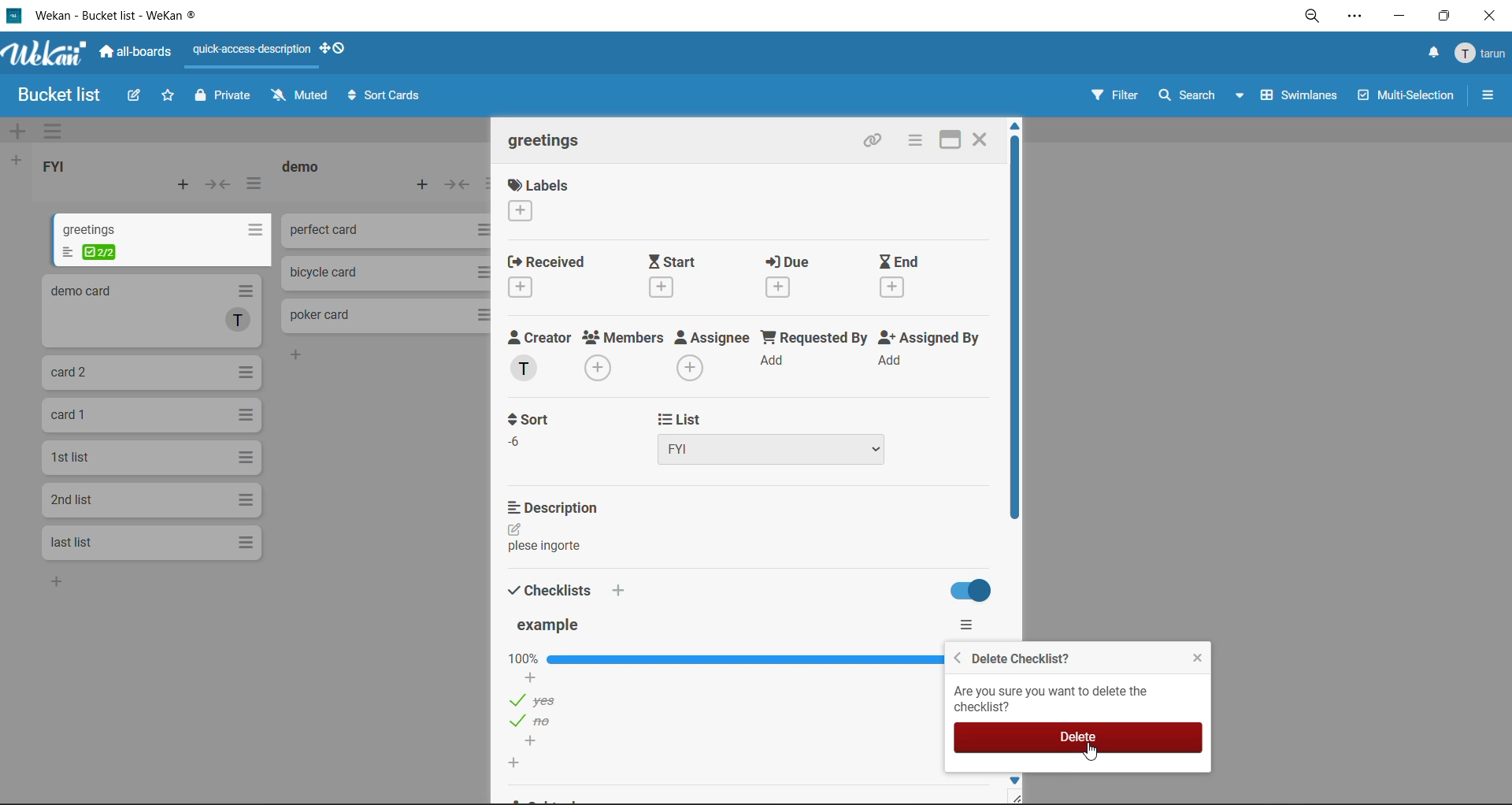 This screenshot has height=805, width=1512. Describe the element at coordinates (531, 356) in the screenshot. I see `creator` at that location.